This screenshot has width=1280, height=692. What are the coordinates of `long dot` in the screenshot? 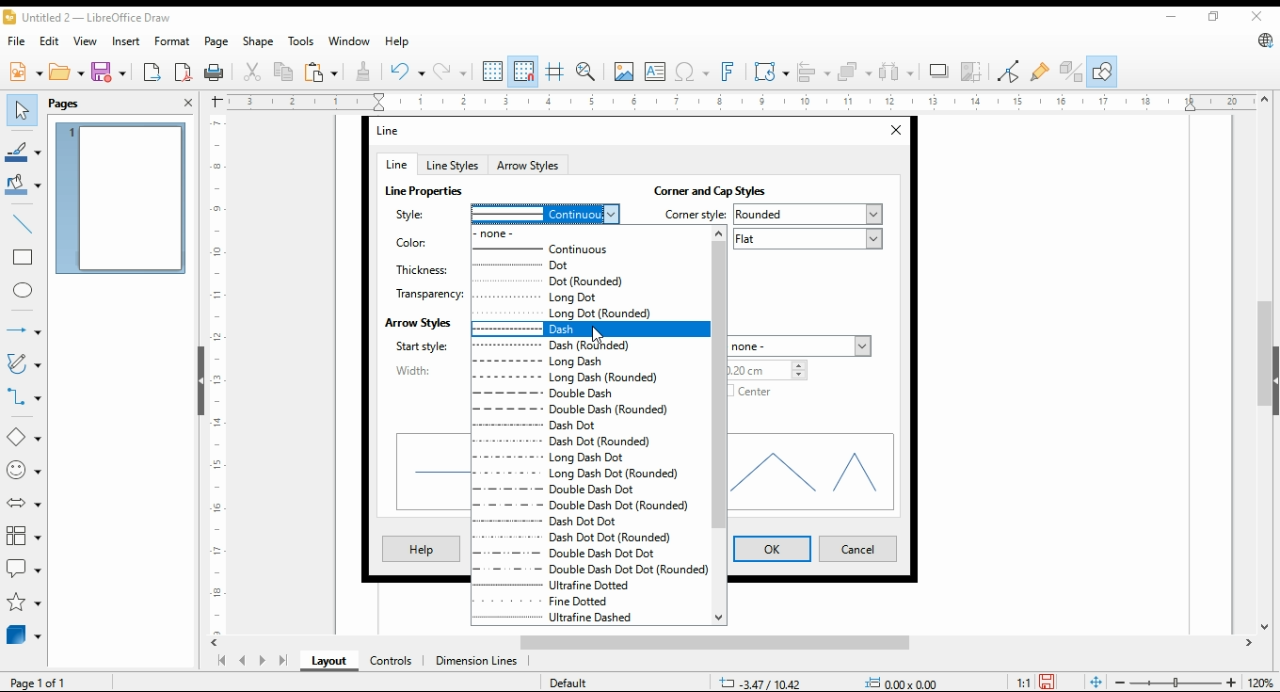 It's located at (588, 297).